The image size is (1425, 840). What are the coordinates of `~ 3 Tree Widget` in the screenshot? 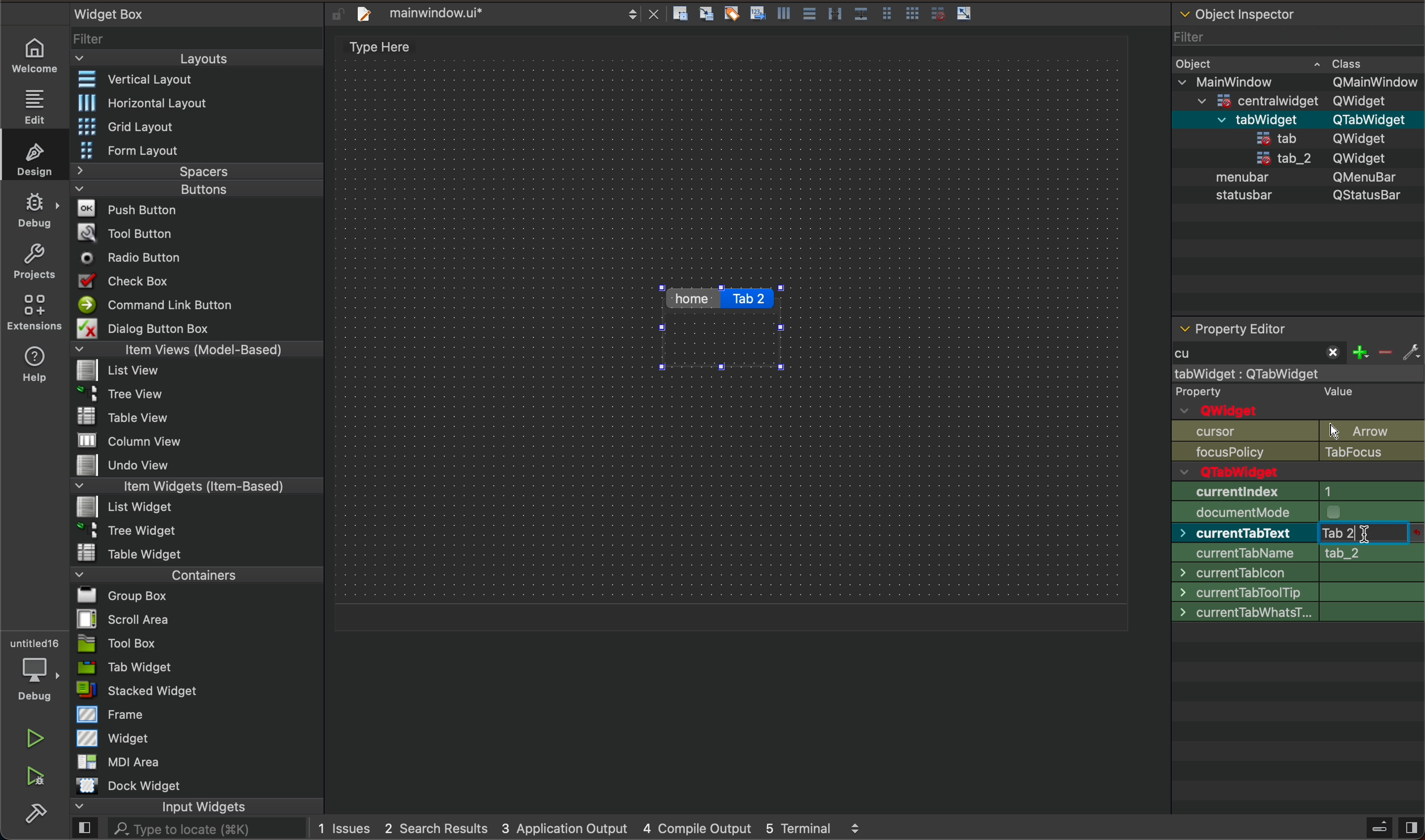 It's located at (119, 530).